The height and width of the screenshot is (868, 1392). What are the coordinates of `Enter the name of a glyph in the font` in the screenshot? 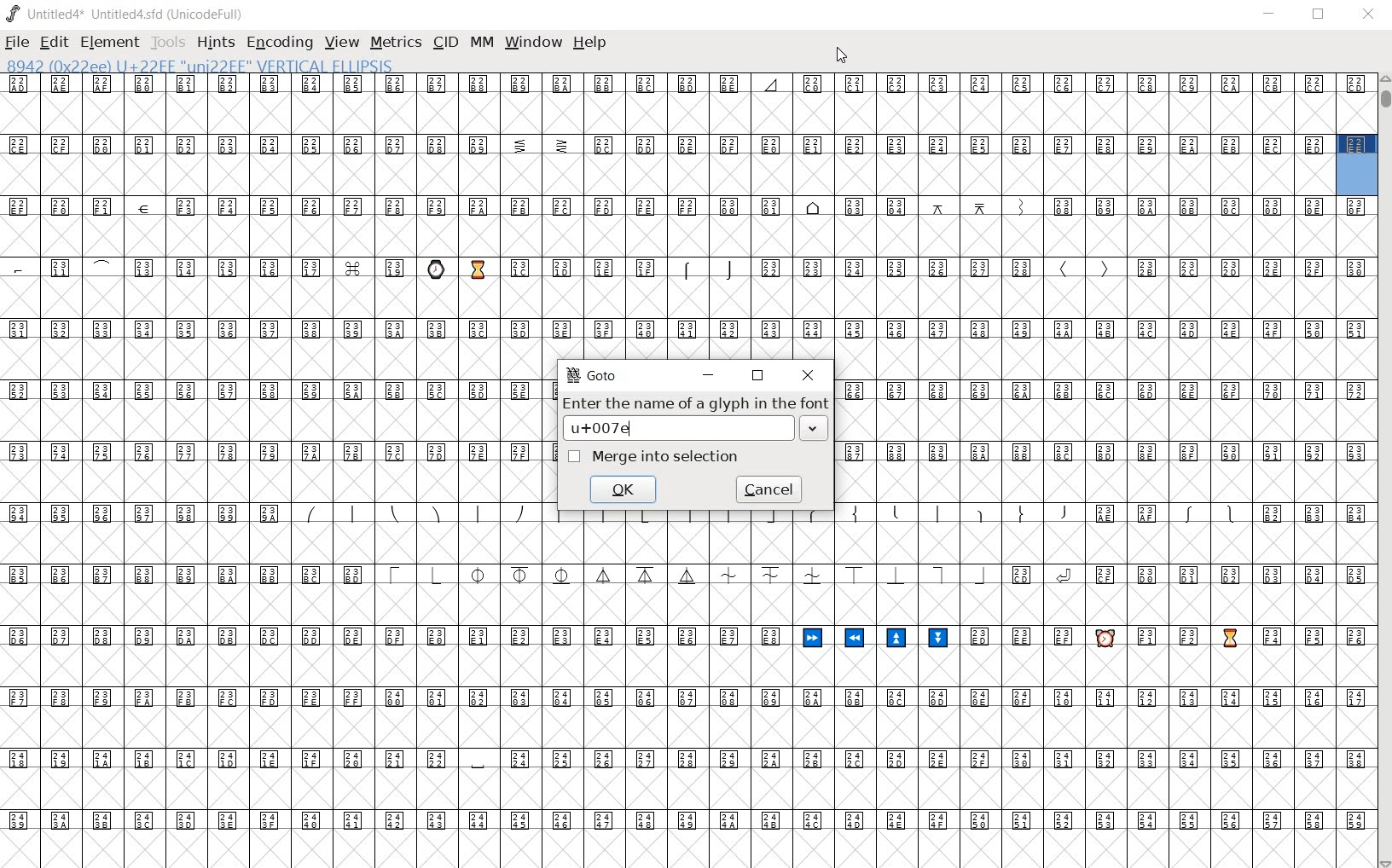 It's located at (696, 419).